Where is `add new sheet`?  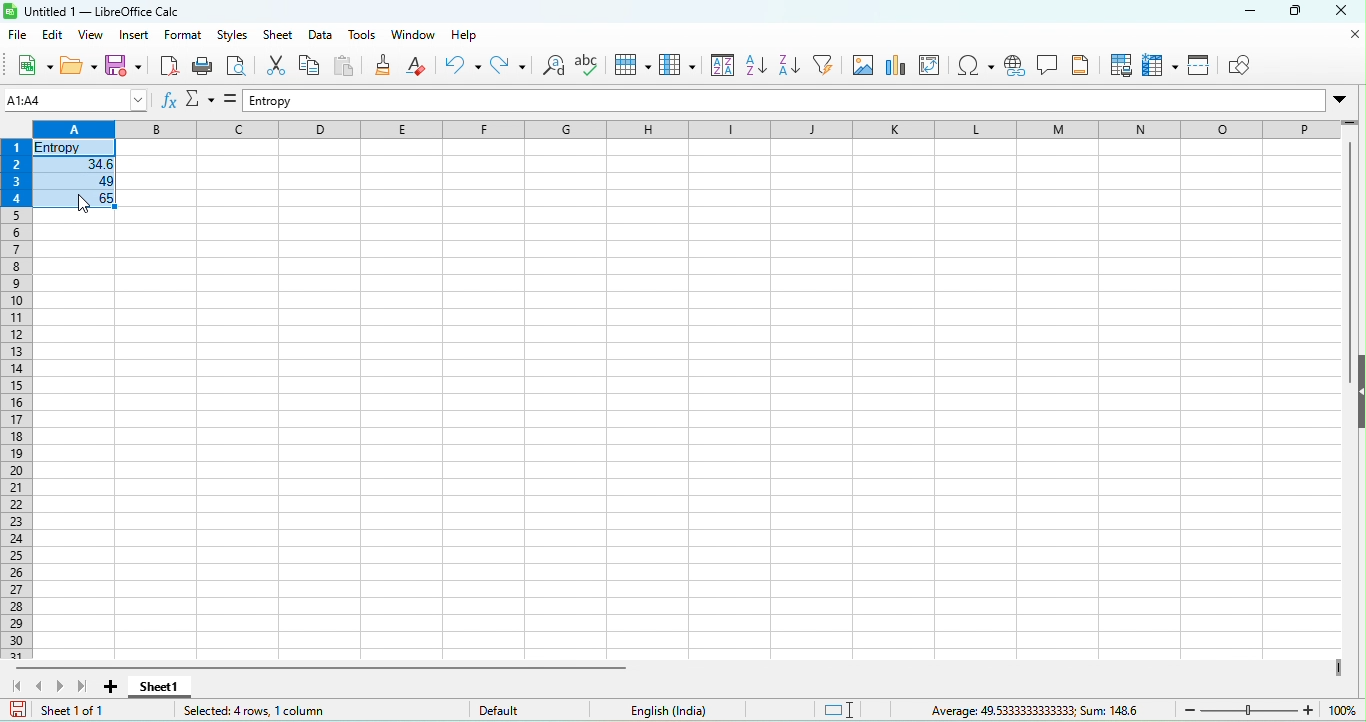 add new sheet is located at coordinates (111, 687).